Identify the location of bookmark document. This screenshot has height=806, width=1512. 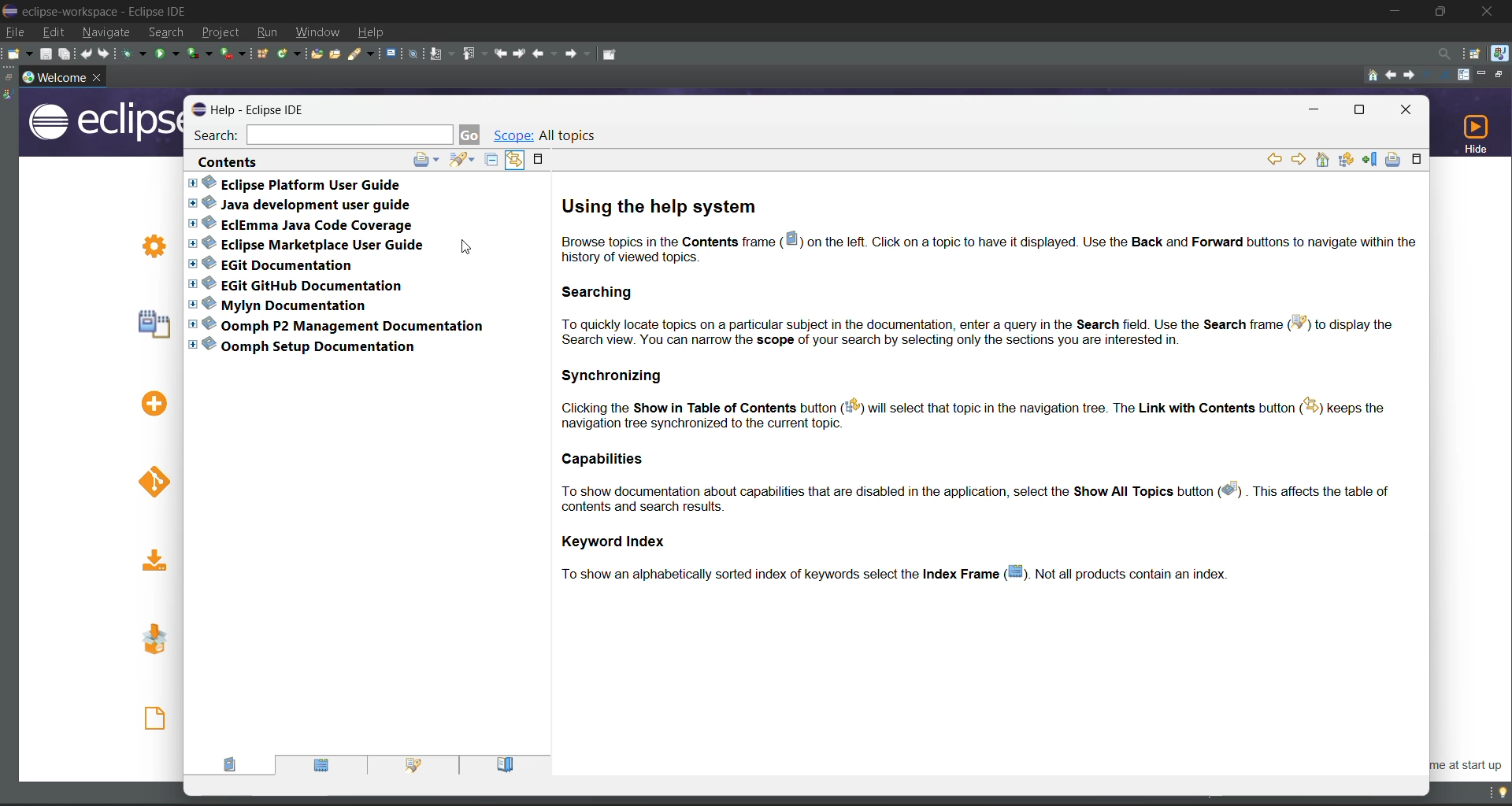
(1371, 159).